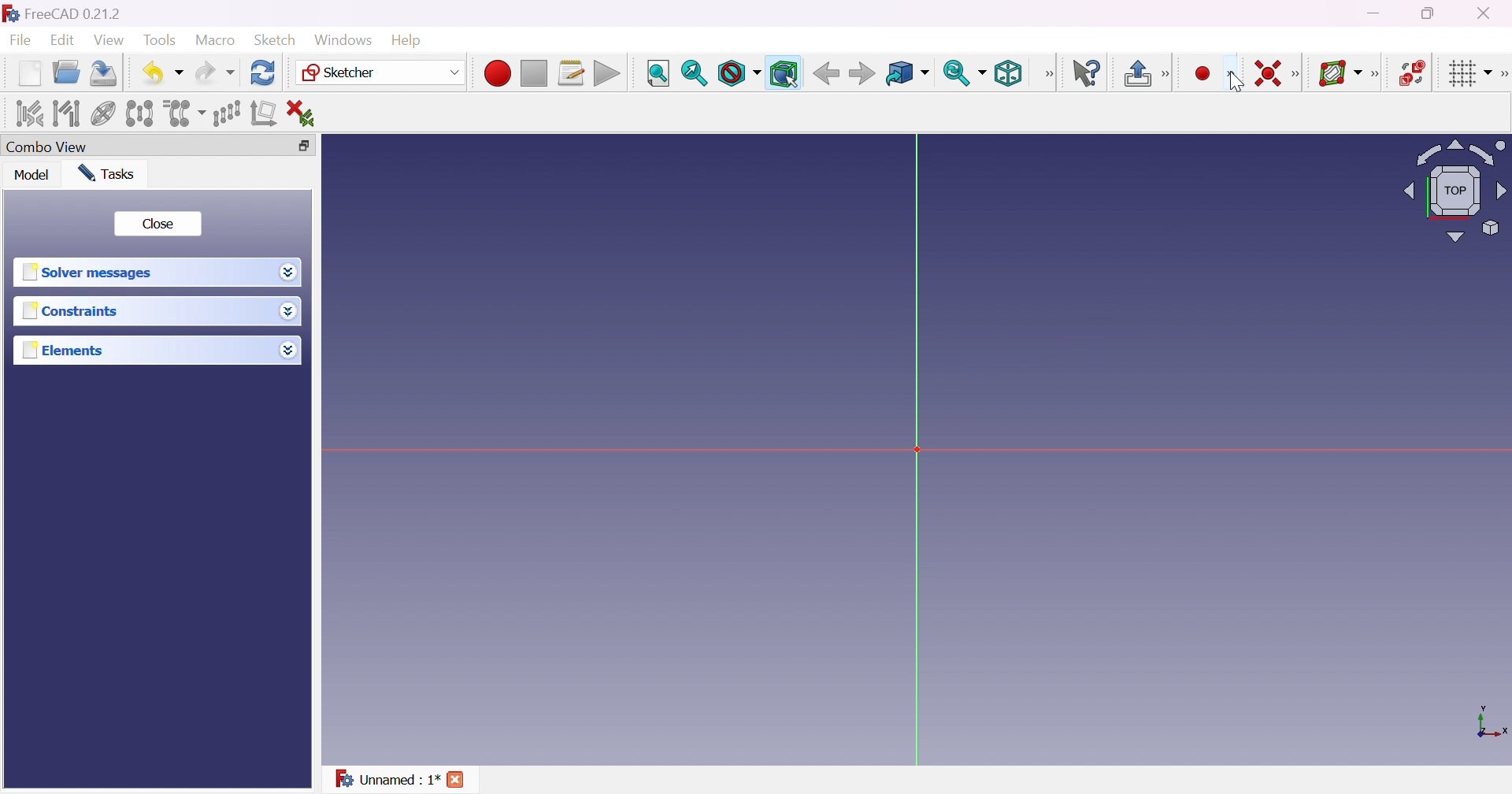 The height and width of the screenshot is (794, 1512). I want to click on Show/hide internal geometry, so click(104, 113).